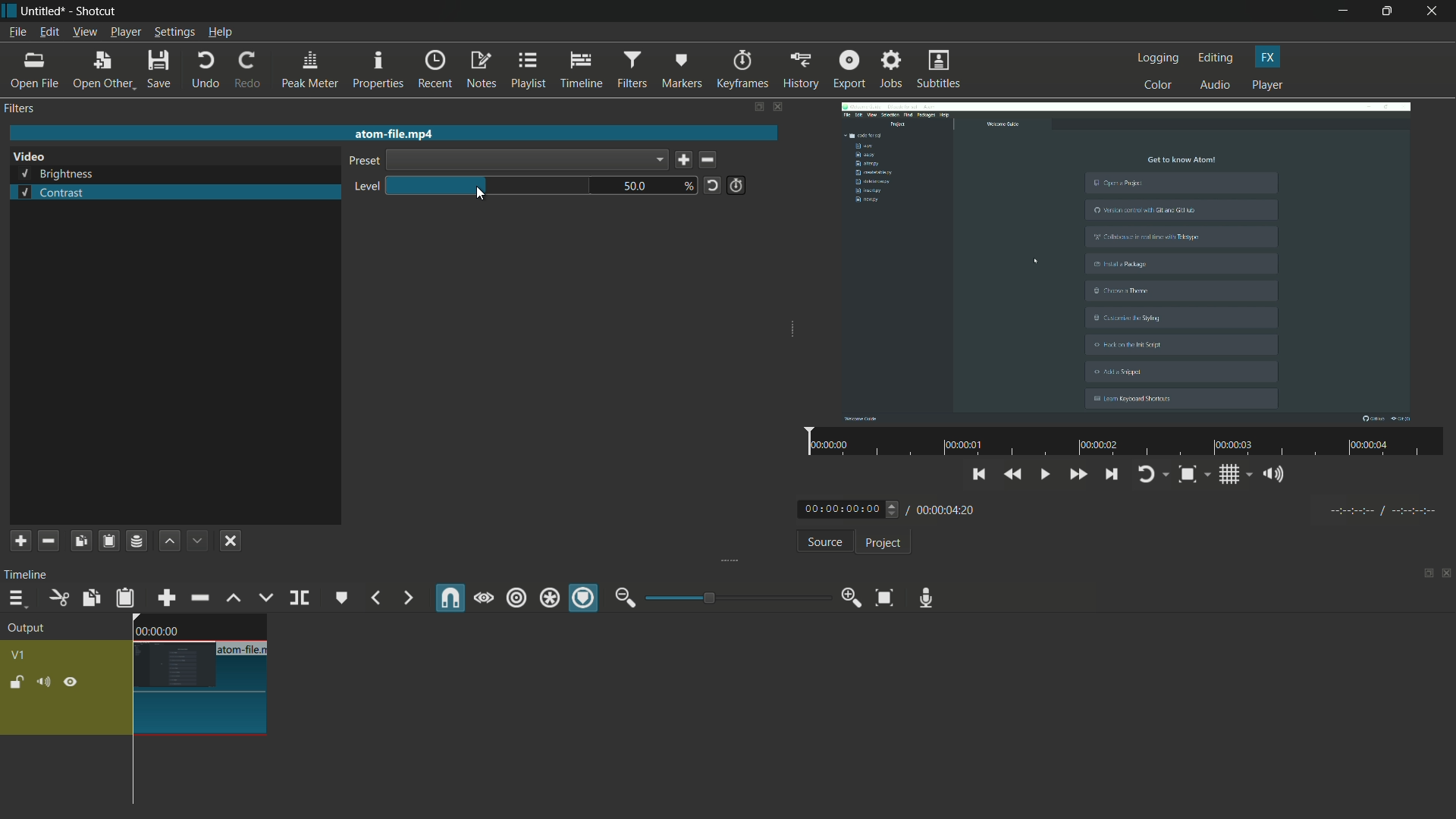 The width and height of the screenshot is (1456, 819). Describe the element at coordinates (1278, 475) in the screenshot. I see `show the volume control` at that location.